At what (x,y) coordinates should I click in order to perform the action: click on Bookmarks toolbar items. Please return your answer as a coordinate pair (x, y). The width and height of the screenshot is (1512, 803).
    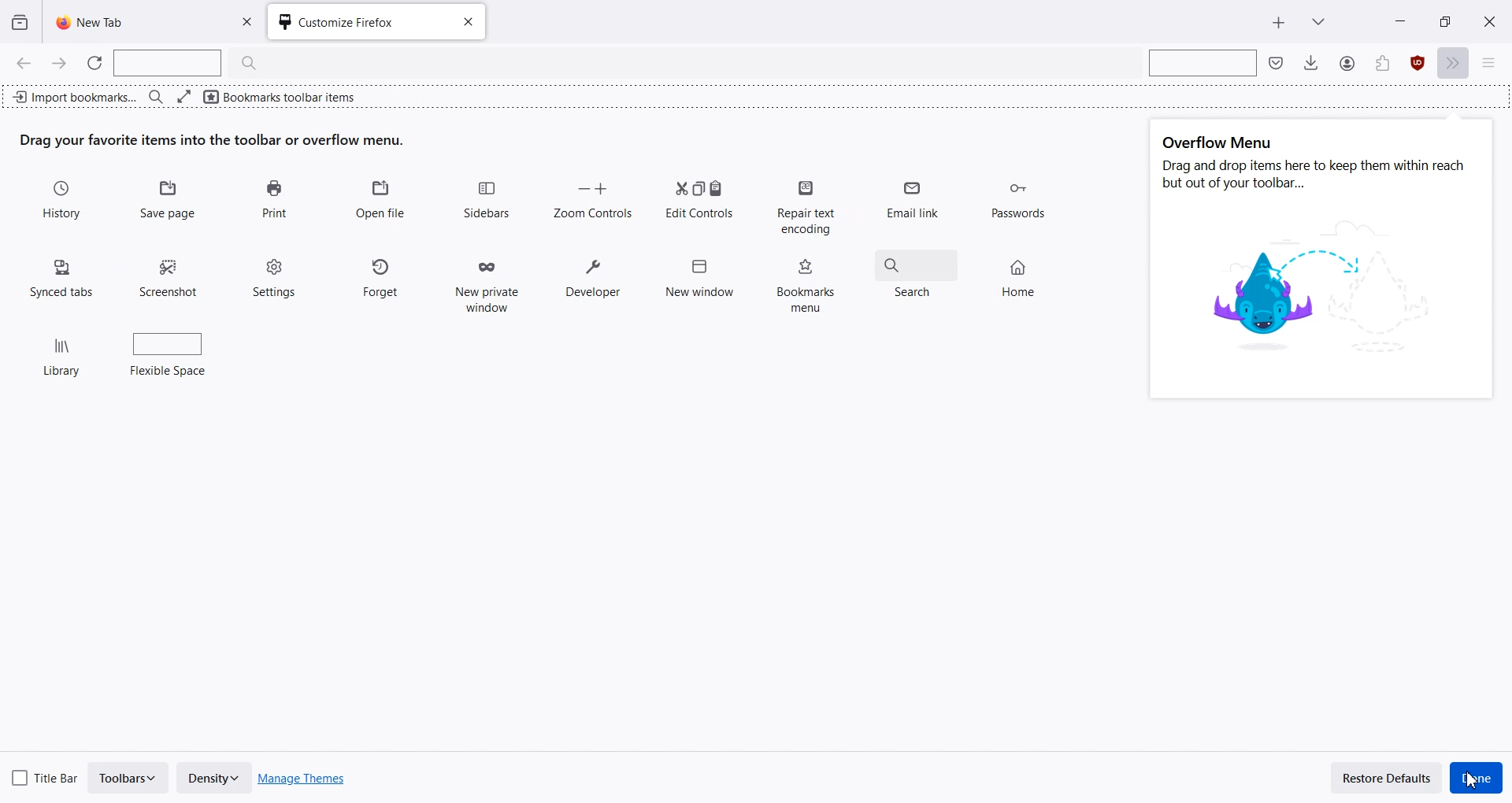
    Looking at the image, I should click on (282, 98).